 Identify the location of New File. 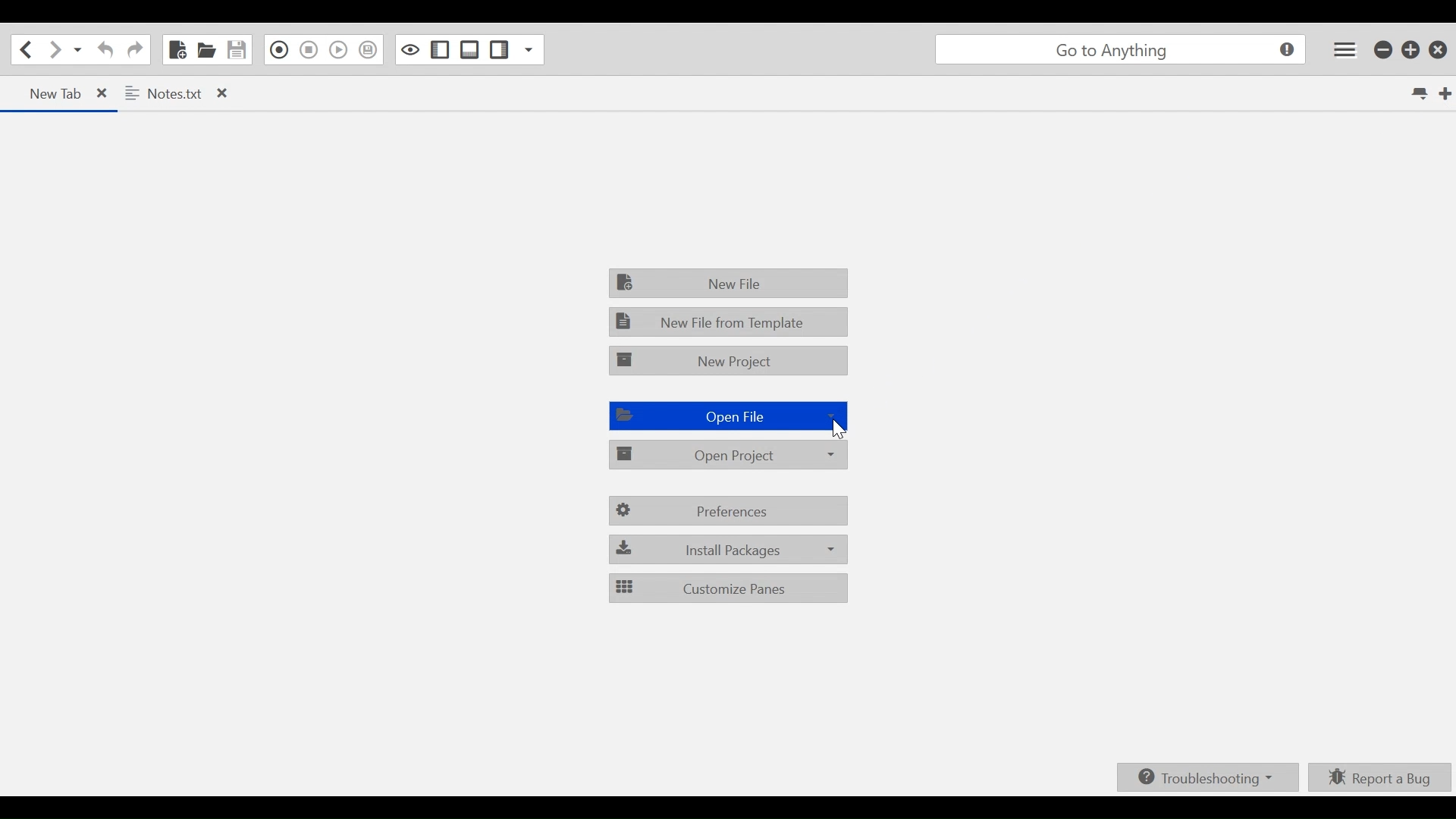
(727, 284).